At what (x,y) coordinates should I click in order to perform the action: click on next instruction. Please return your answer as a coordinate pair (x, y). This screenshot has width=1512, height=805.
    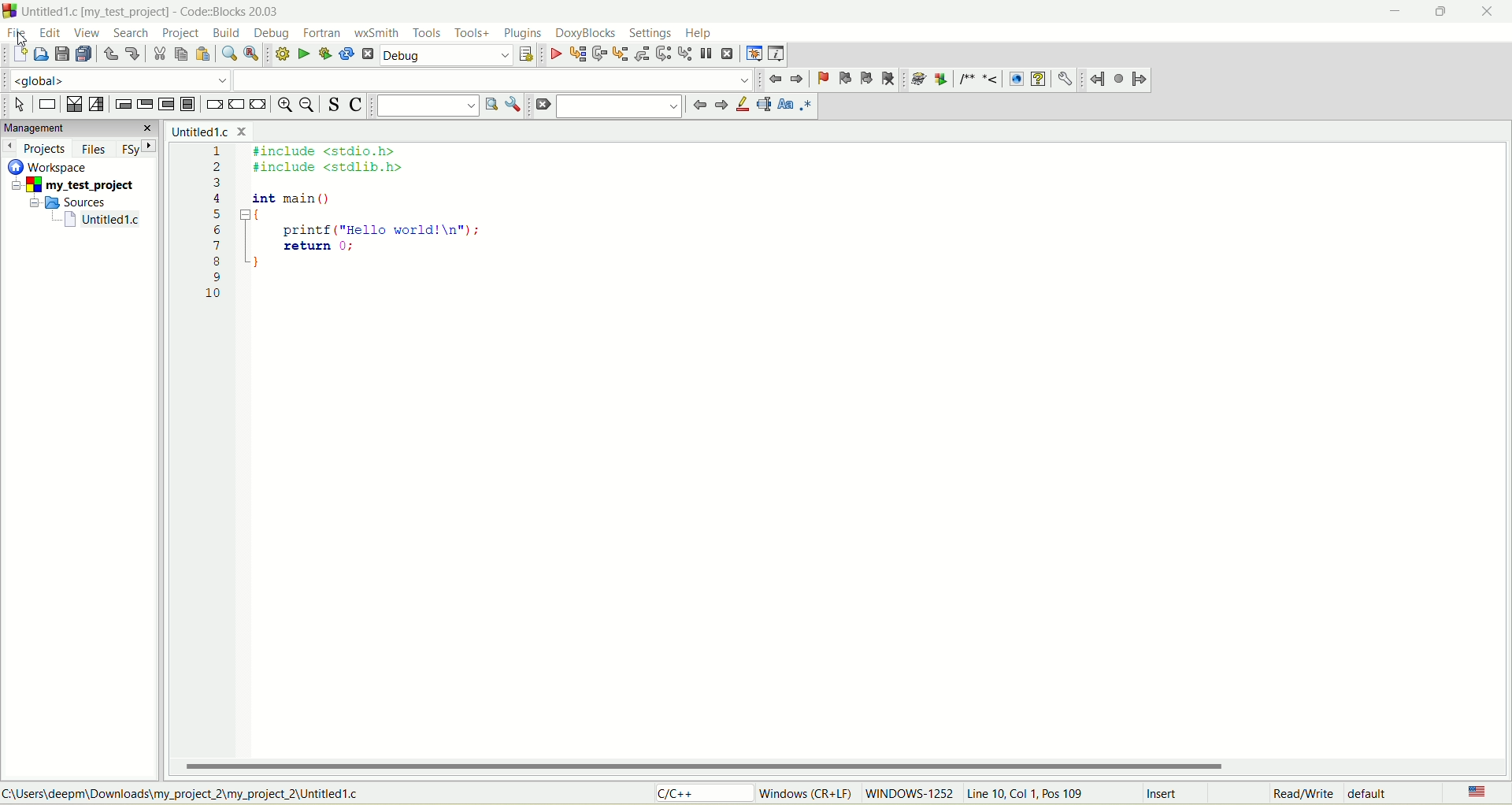
    Looking at the image, I should click on (662, 53).